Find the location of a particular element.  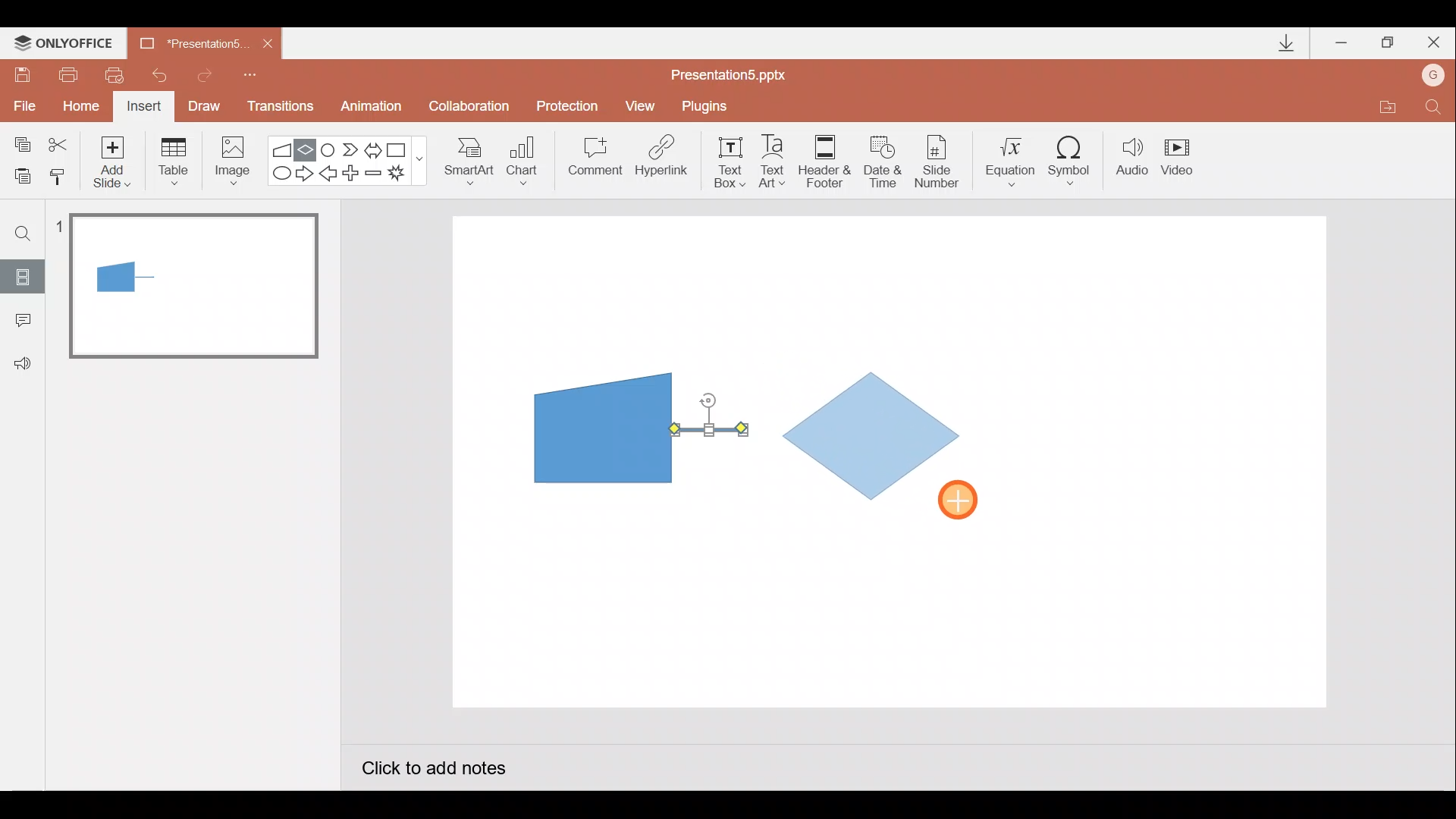

Draw is located at coordinates (205, 105).